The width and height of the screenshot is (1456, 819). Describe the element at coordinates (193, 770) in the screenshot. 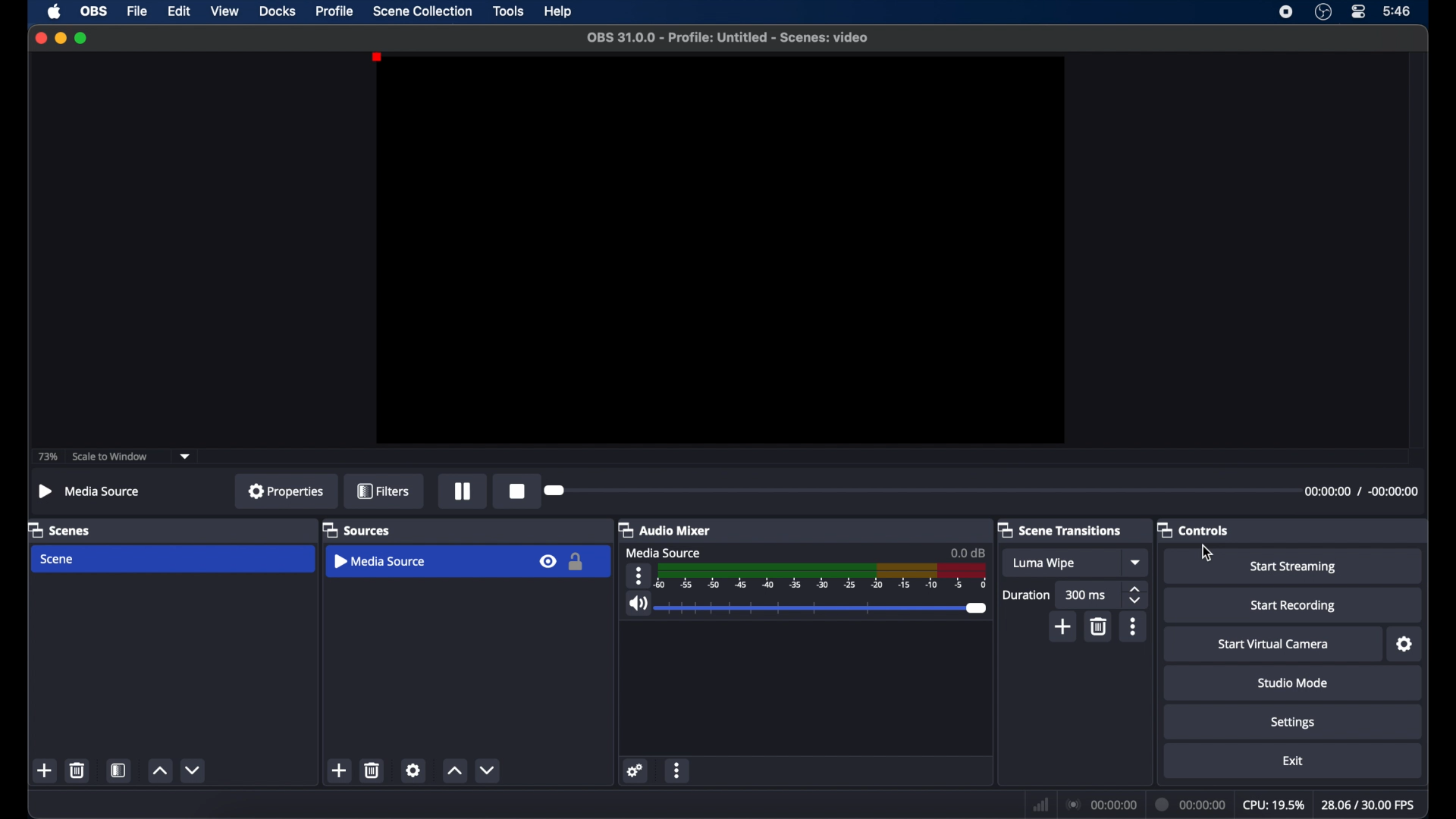

I see `decrement` at that location.